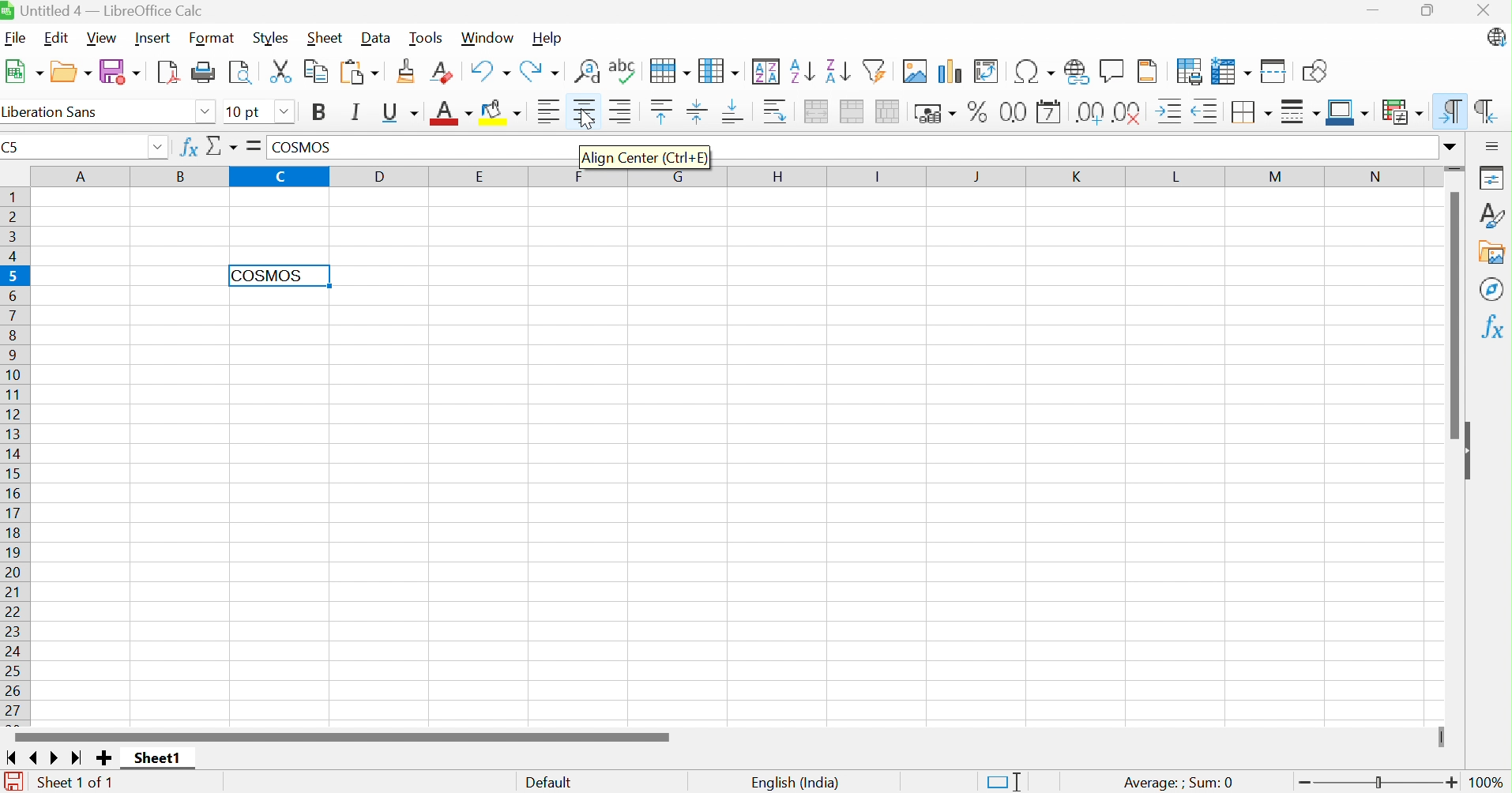  I want to click on Styles, so click(1496, 217).